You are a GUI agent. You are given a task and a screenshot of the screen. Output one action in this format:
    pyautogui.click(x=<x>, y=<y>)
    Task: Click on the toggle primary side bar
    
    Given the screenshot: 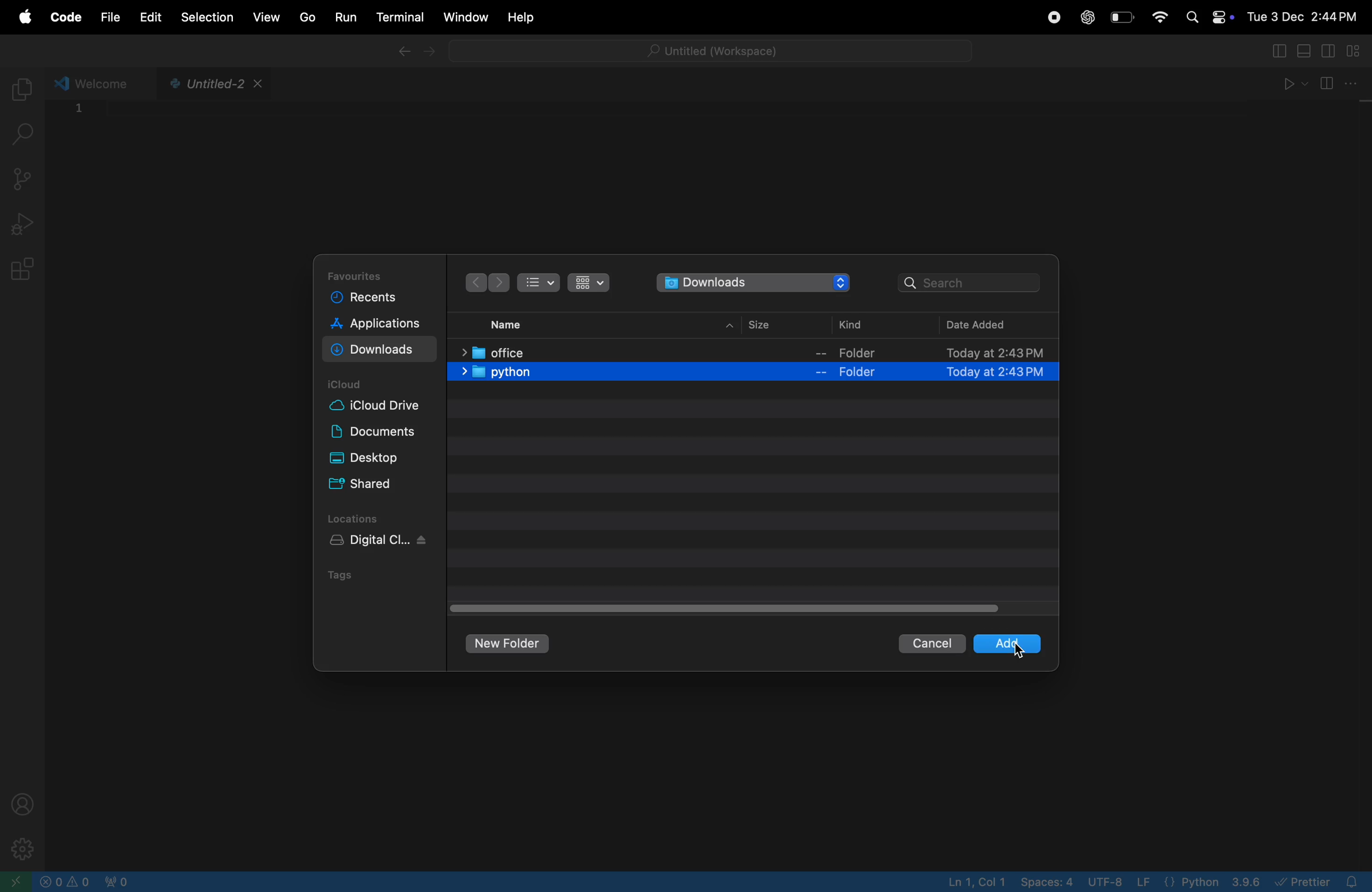 What is the action you would take?
    pyautogui.click(x=1278, y=50)
    